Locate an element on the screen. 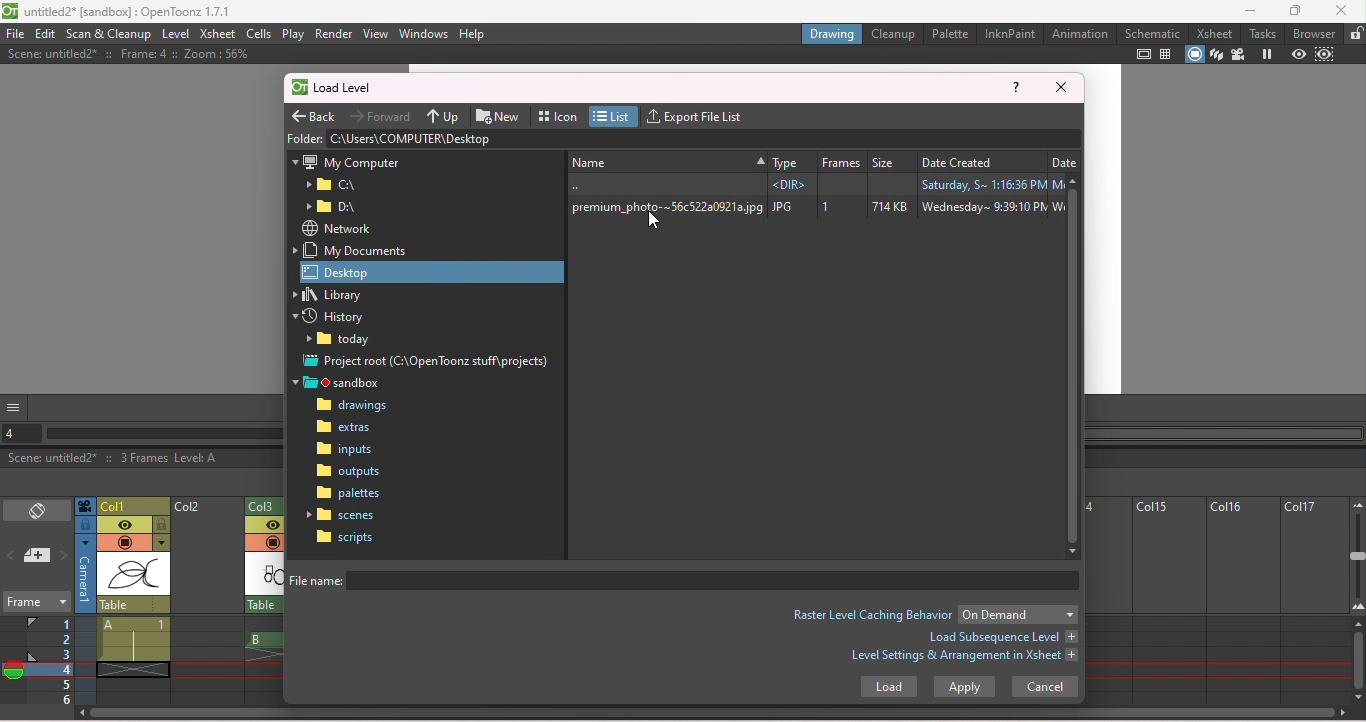 This screenshot has height=722, width=1366. Toggle Xsheet/Timeline is located at coordinates (38, 512).